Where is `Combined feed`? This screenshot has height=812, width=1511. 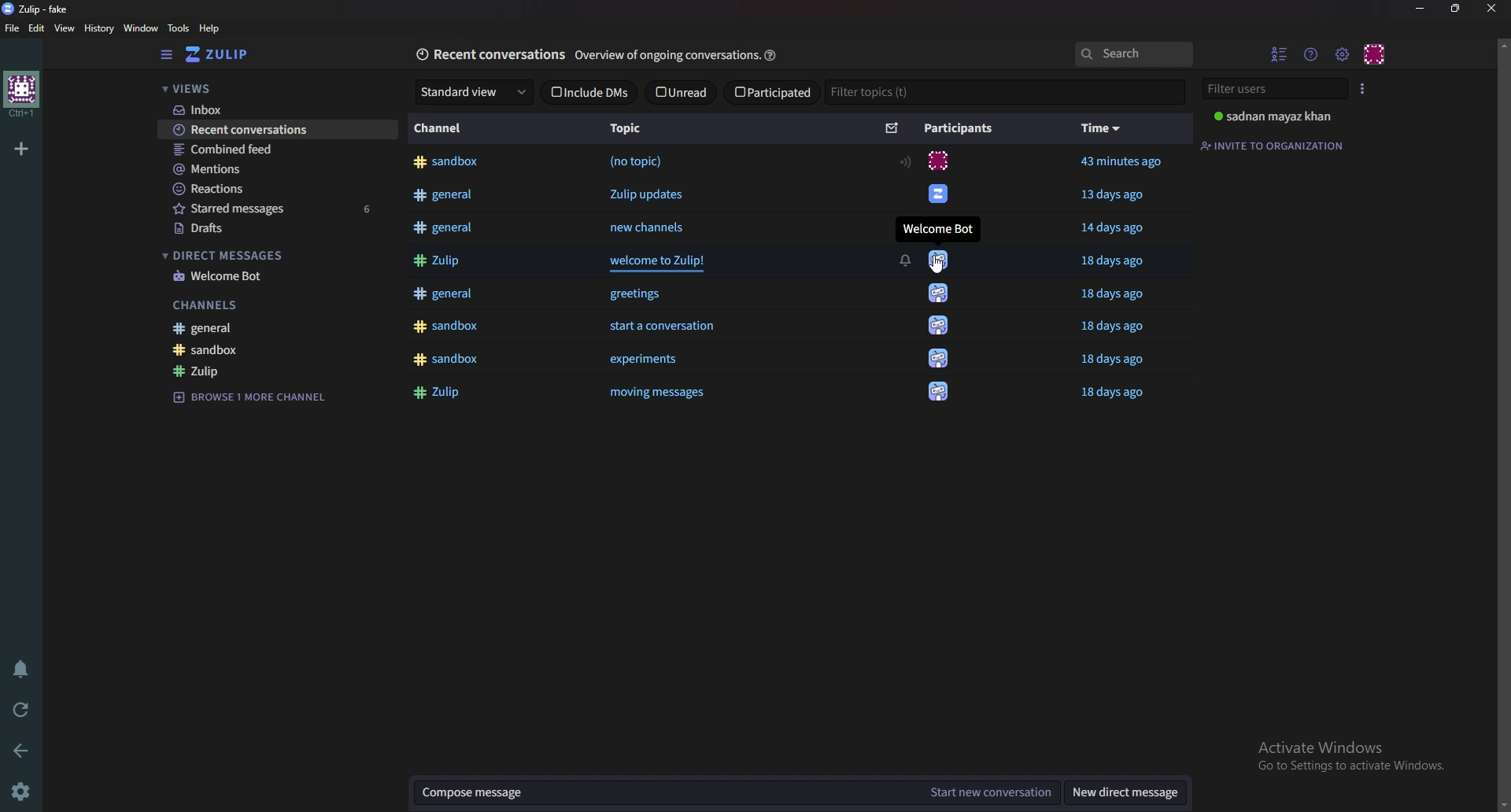
Combined feed is located at coordinates (279, 150).